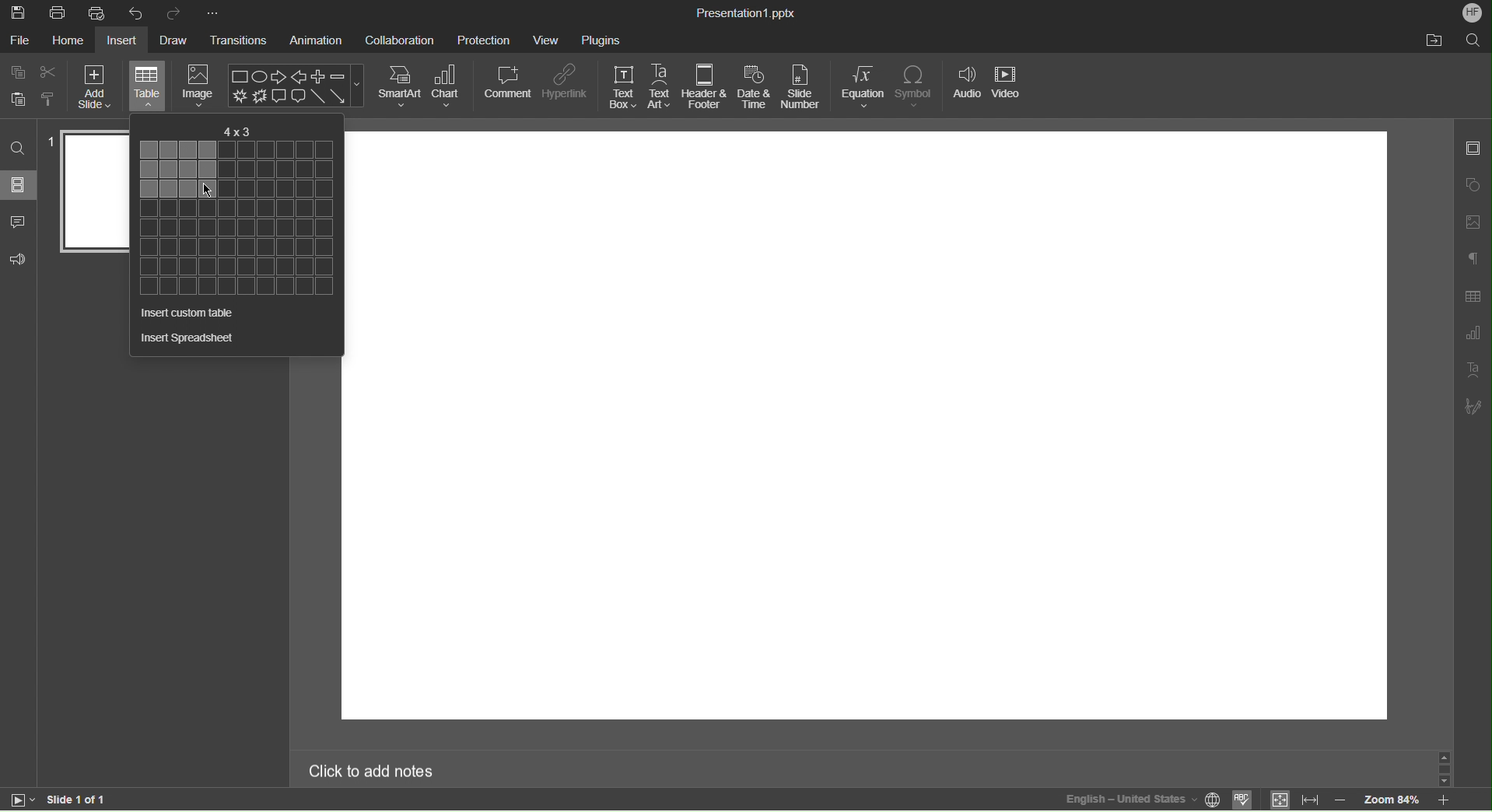 The width and height of the screenshot is (1492, 812). I want to click on Protection, so click(485, 39).